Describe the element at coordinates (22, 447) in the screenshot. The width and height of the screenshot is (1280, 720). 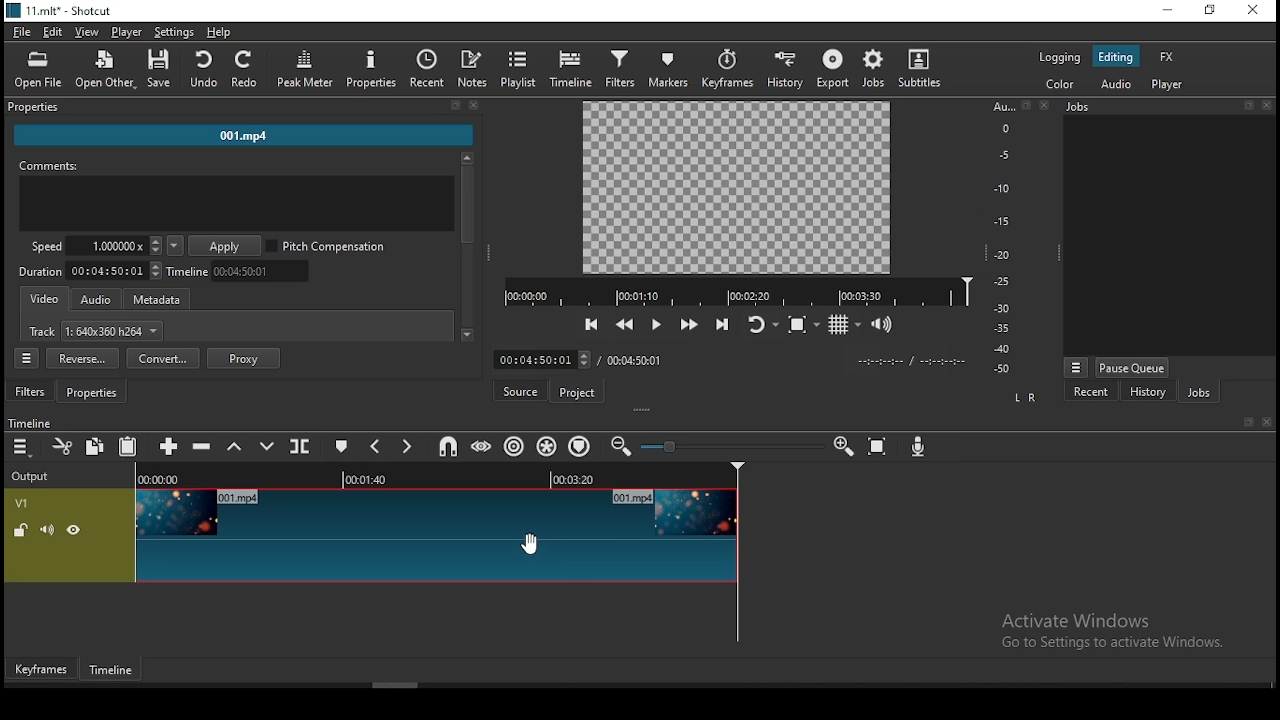
I see `timeline menu` at that location.